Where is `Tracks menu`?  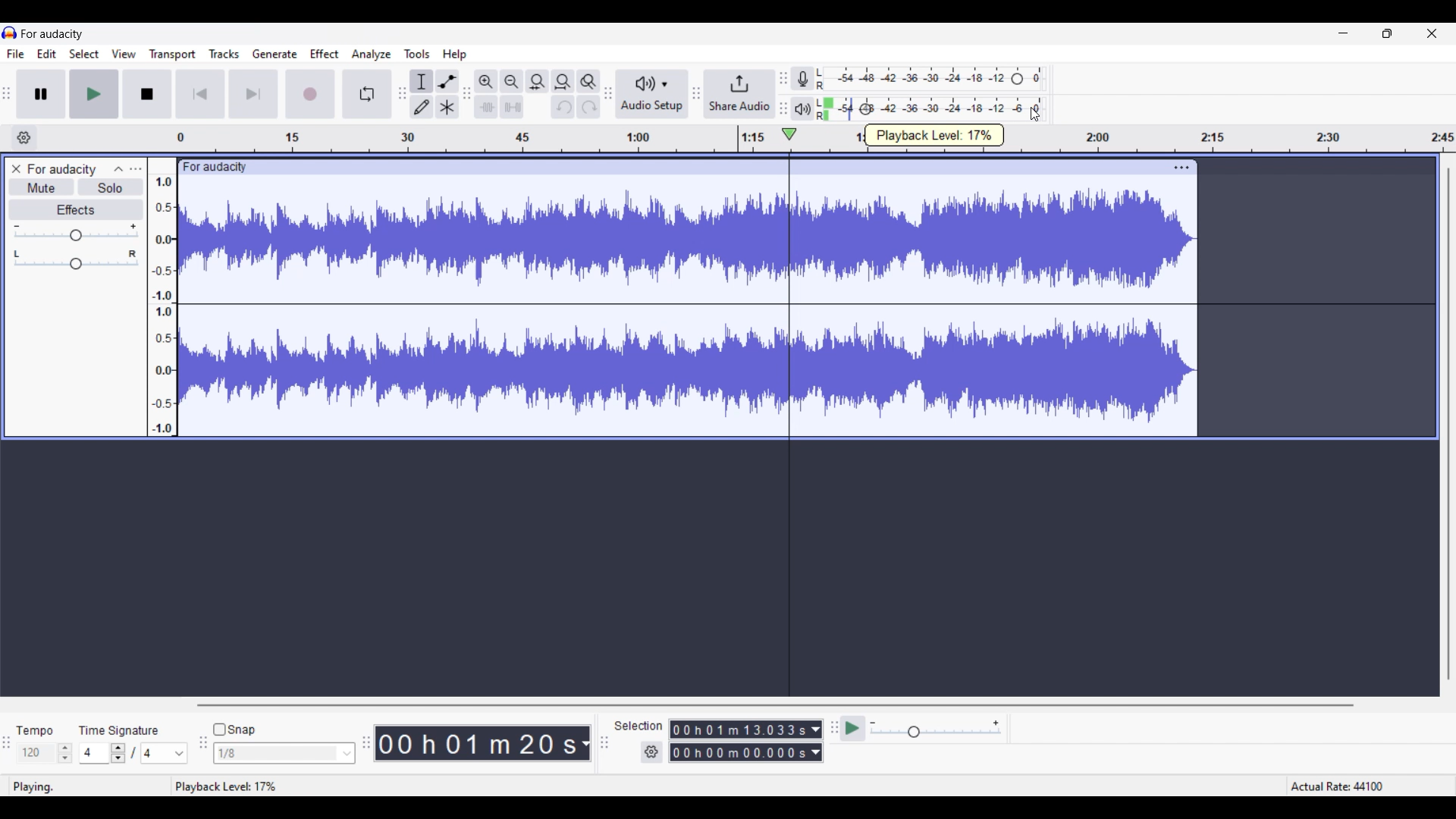 Tracks menu is located at coordinates (224, 53).